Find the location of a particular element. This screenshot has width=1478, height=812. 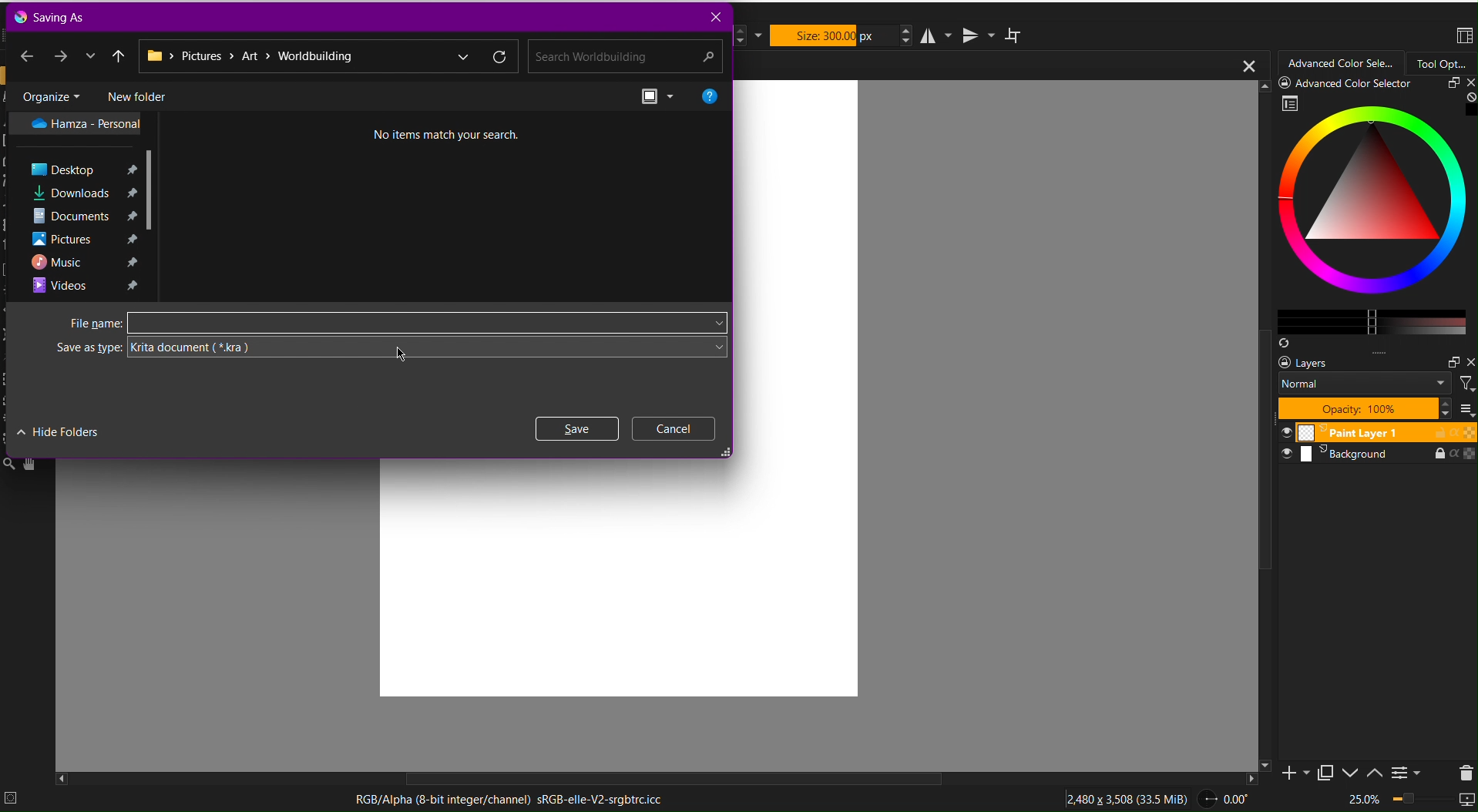

scroll down is located at coordinates (155, 190).